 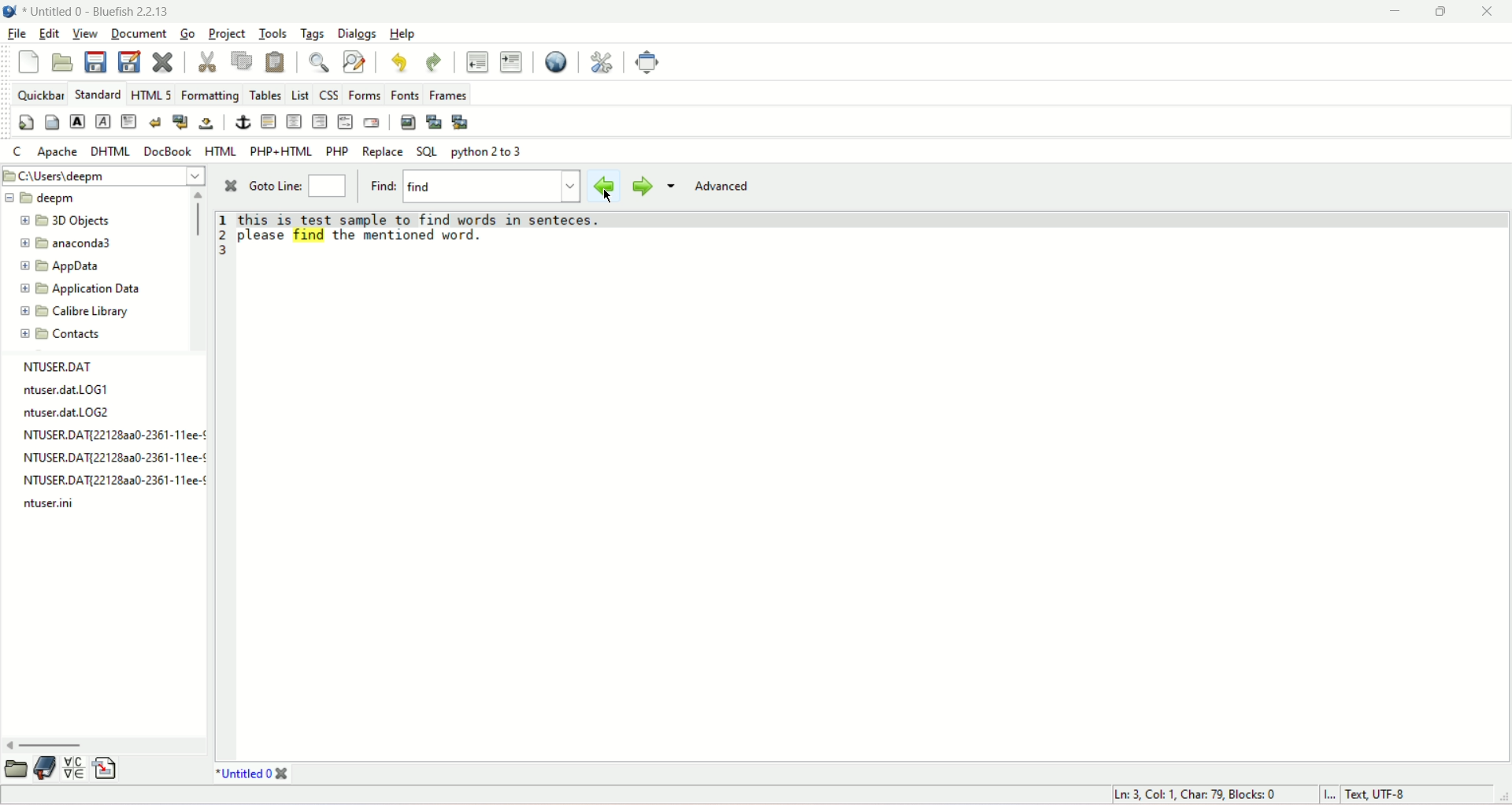 I want to click on DHTML, so click(x=109, y=152).